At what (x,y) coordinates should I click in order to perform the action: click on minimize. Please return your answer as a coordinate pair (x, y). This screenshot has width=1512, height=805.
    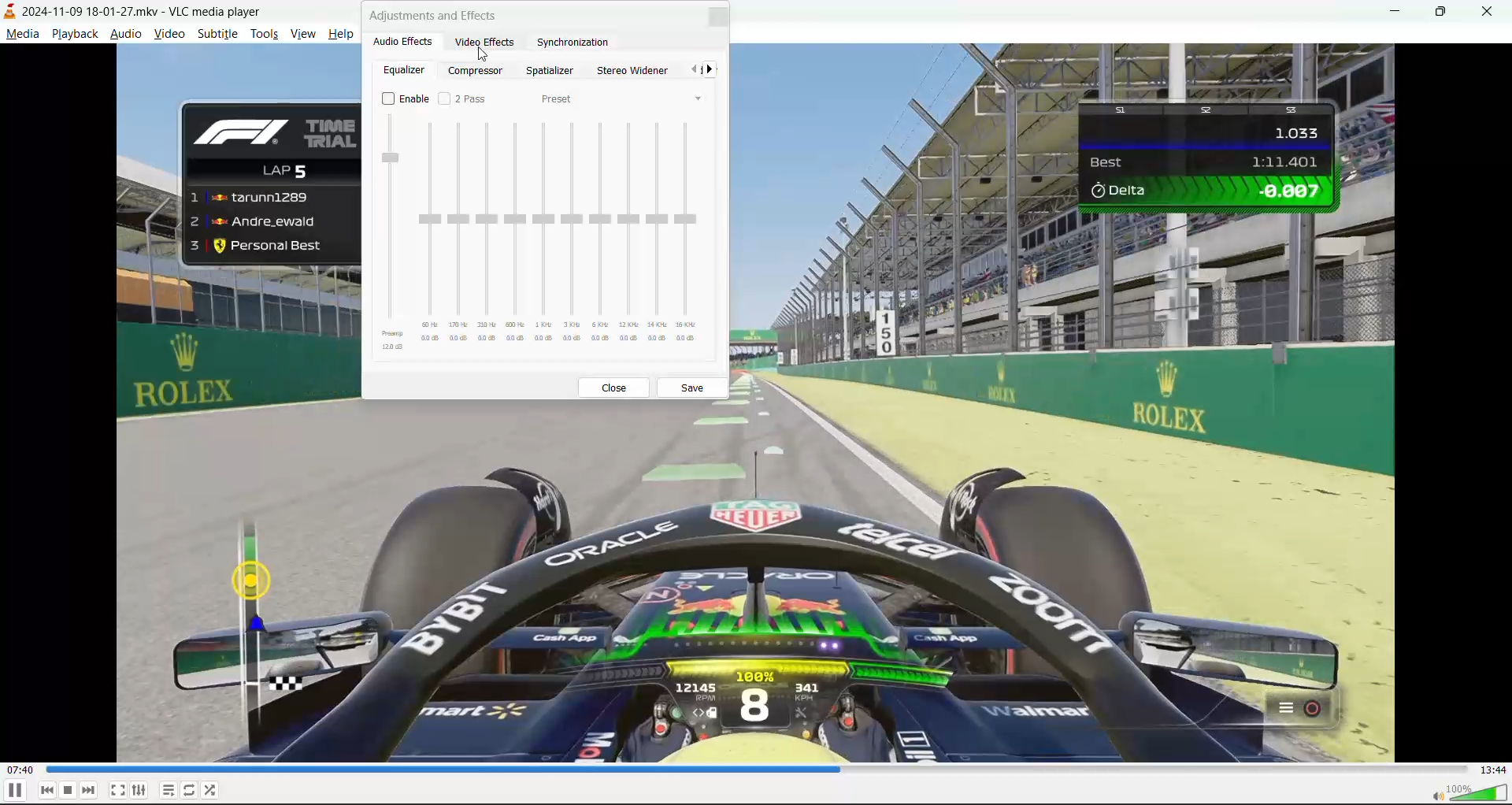
    Looking at the image, I should click on (1394, 13).